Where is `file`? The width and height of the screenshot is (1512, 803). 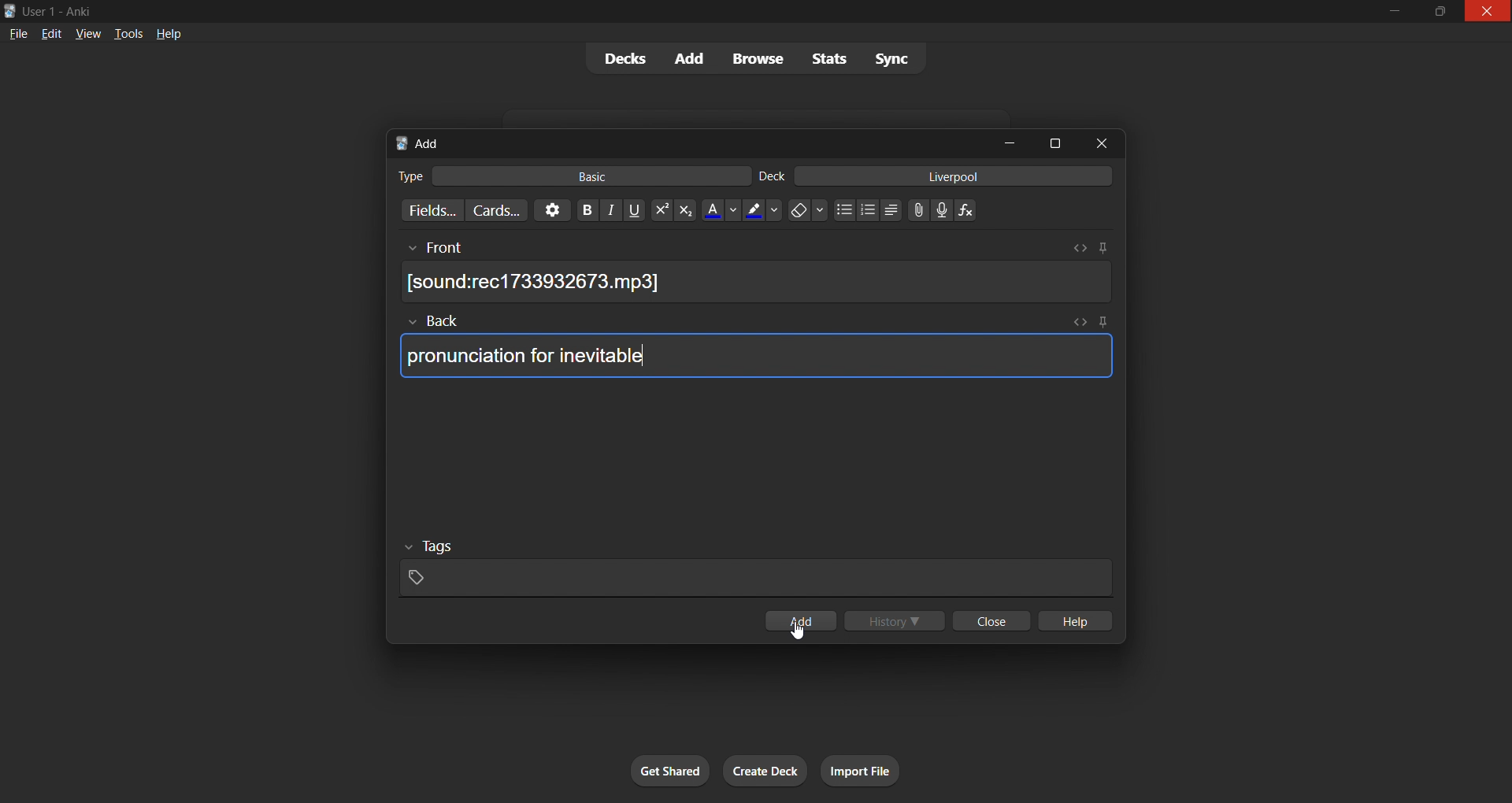 file is located at coordinates (15, 35).